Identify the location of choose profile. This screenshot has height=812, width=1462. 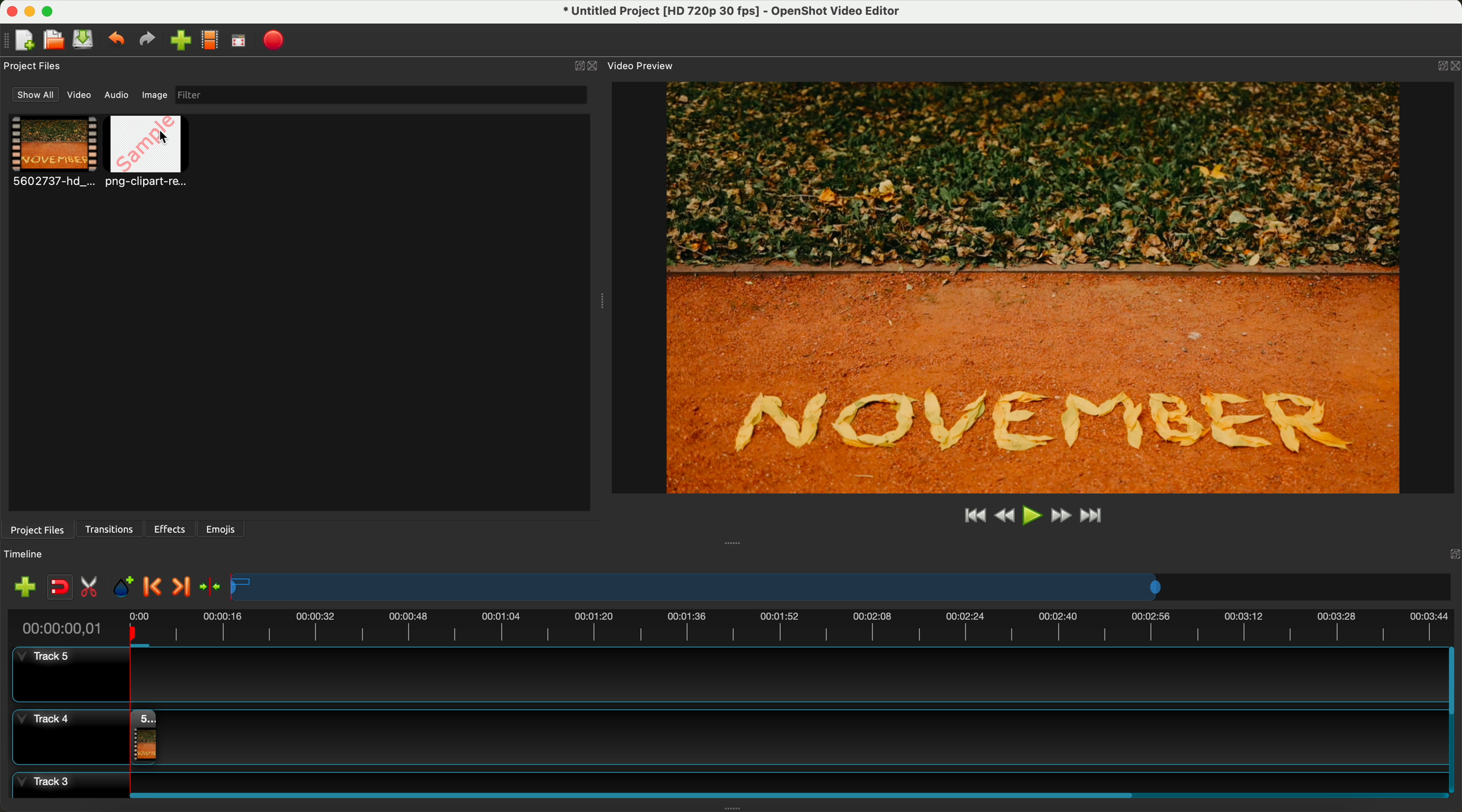
(213, 42).